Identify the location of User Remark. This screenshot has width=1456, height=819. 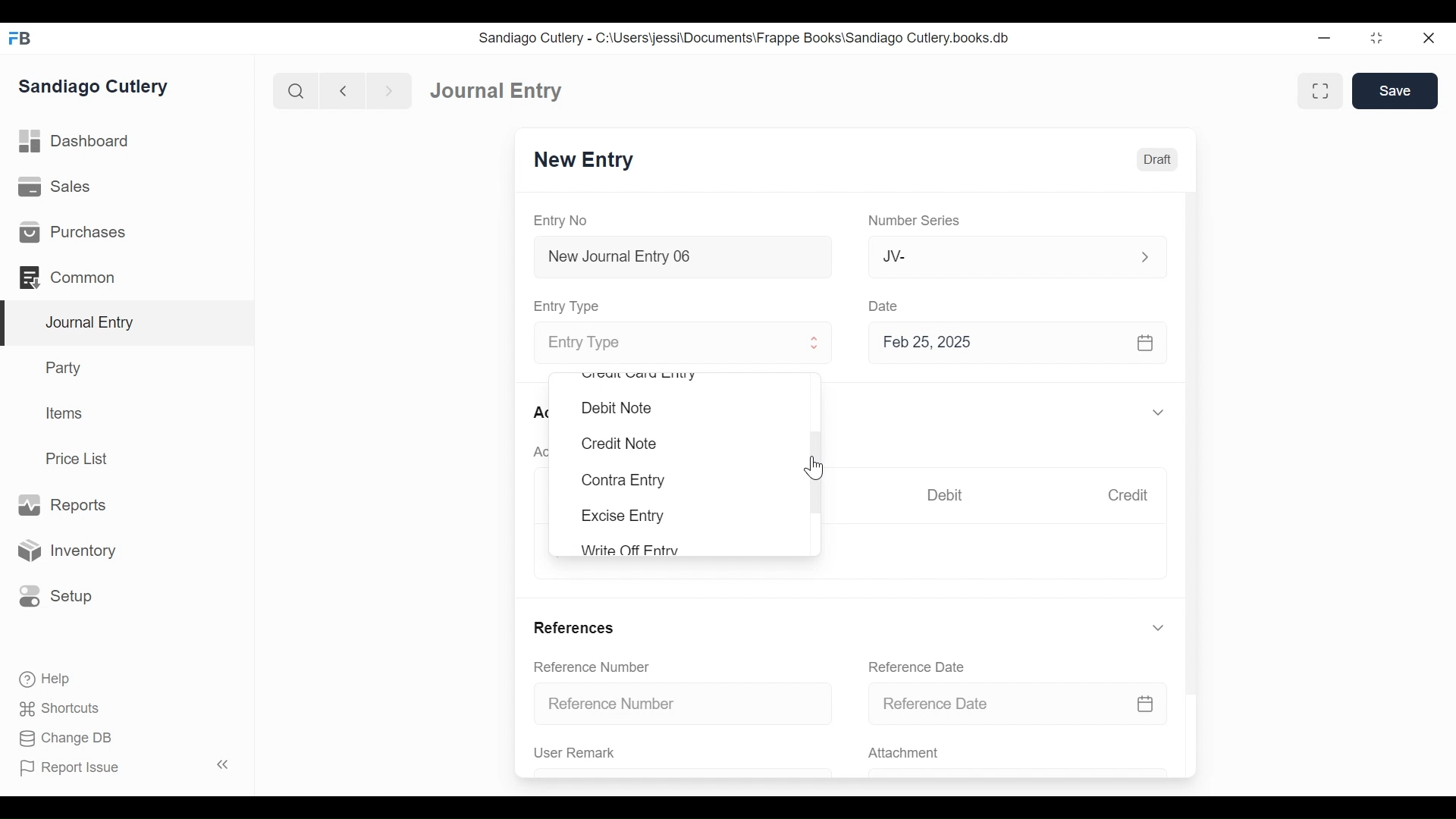
(575, 752).